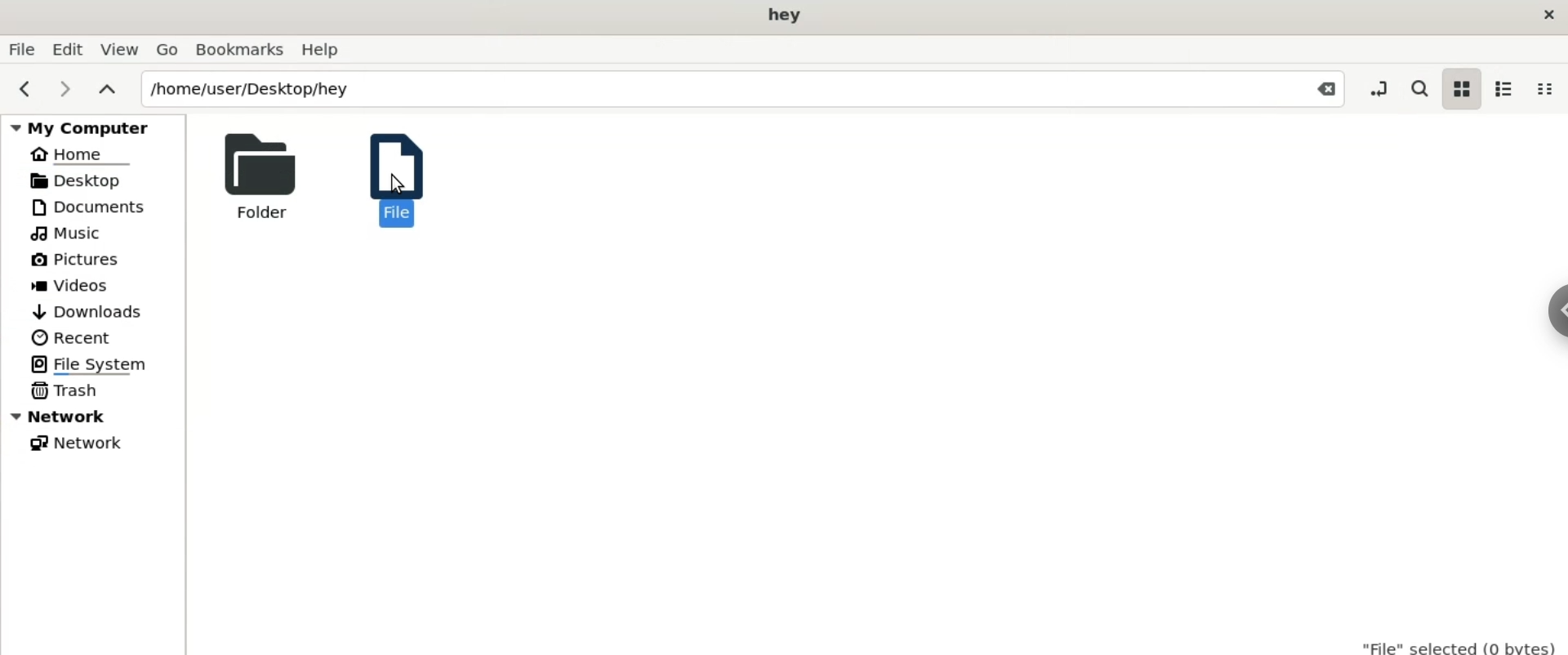  Describe the element at coordinates (21, 88) in the screenshot. I see `previous` at that location.